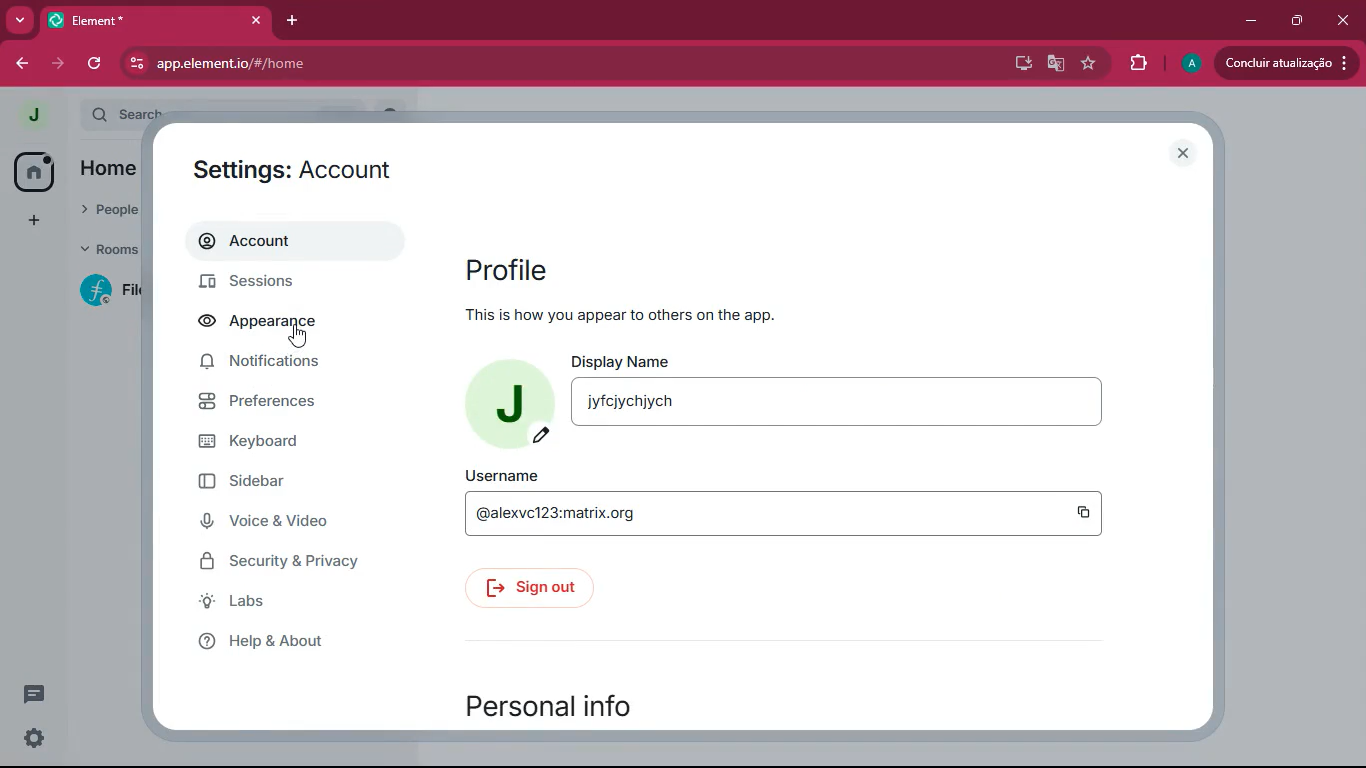  Describe the element at coordinates (267, 319) in the screenshot. I see `Appearance` at that location.